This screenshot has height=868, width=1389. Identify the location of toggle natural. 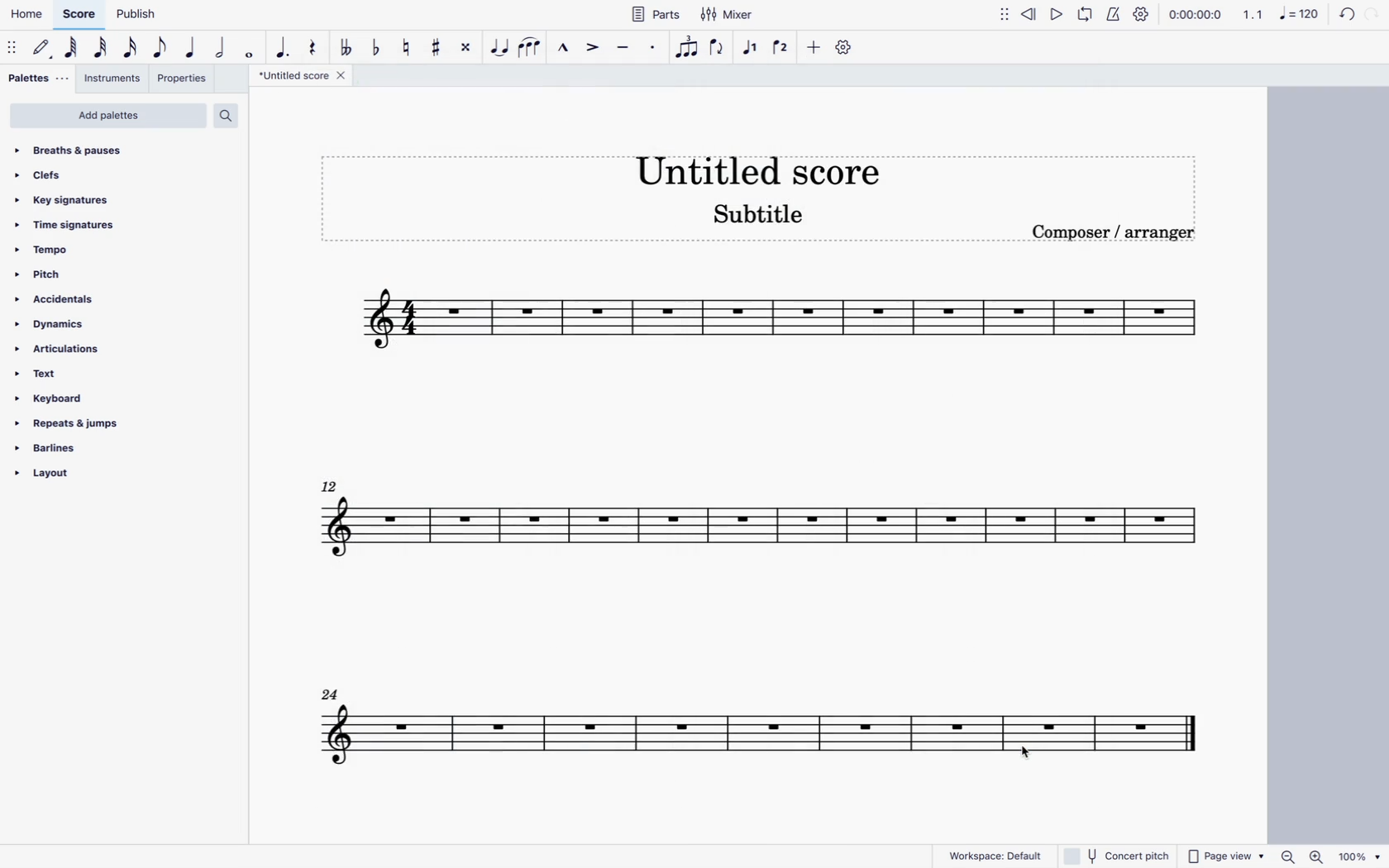
(407, 49).